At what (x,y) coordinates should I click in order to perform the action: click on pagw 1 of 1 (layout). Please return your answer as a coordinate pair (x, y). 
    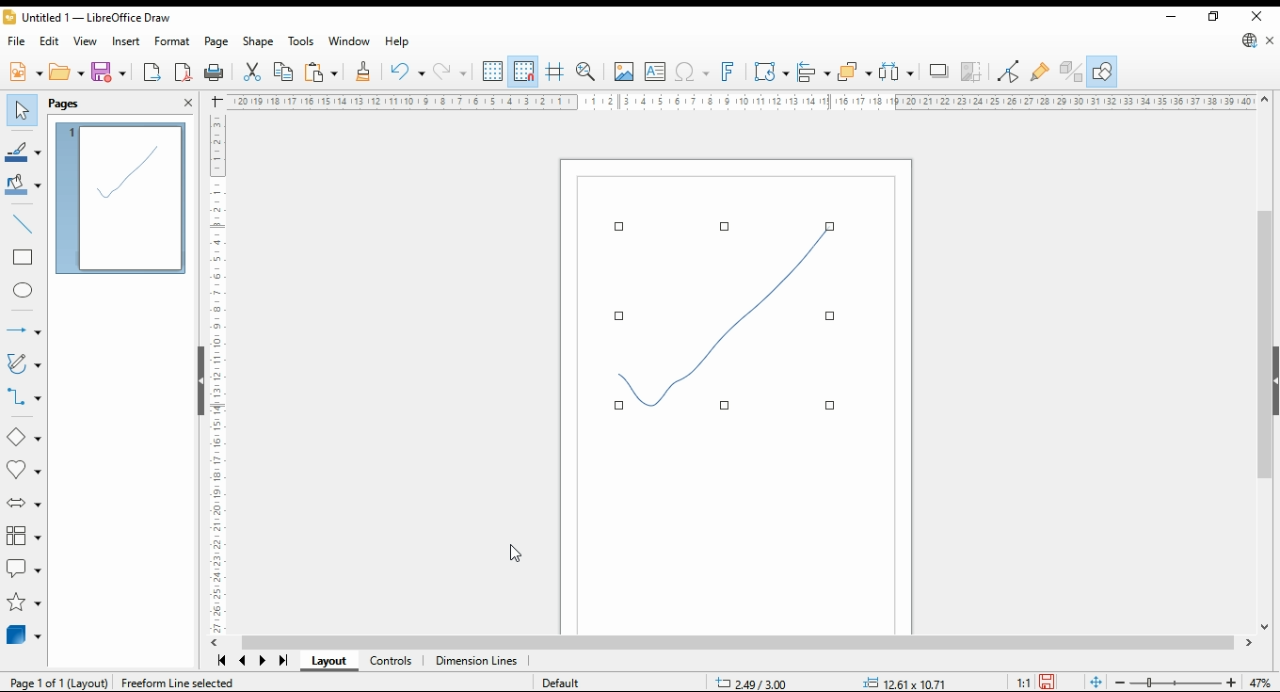
    Looking at the image, I should click on (58, 681).